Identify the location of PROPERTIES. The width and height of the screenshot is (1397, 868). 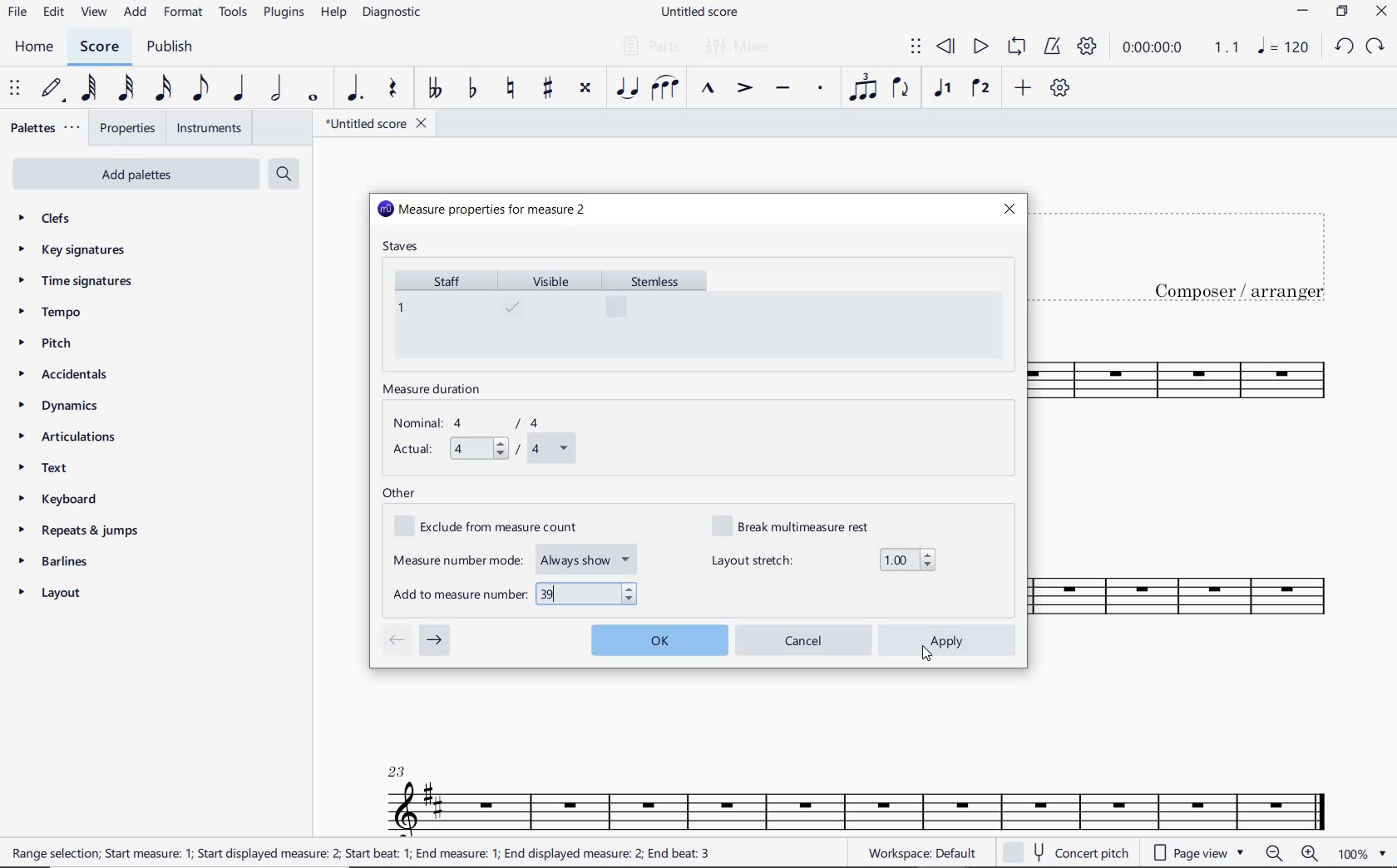
(126, 131).